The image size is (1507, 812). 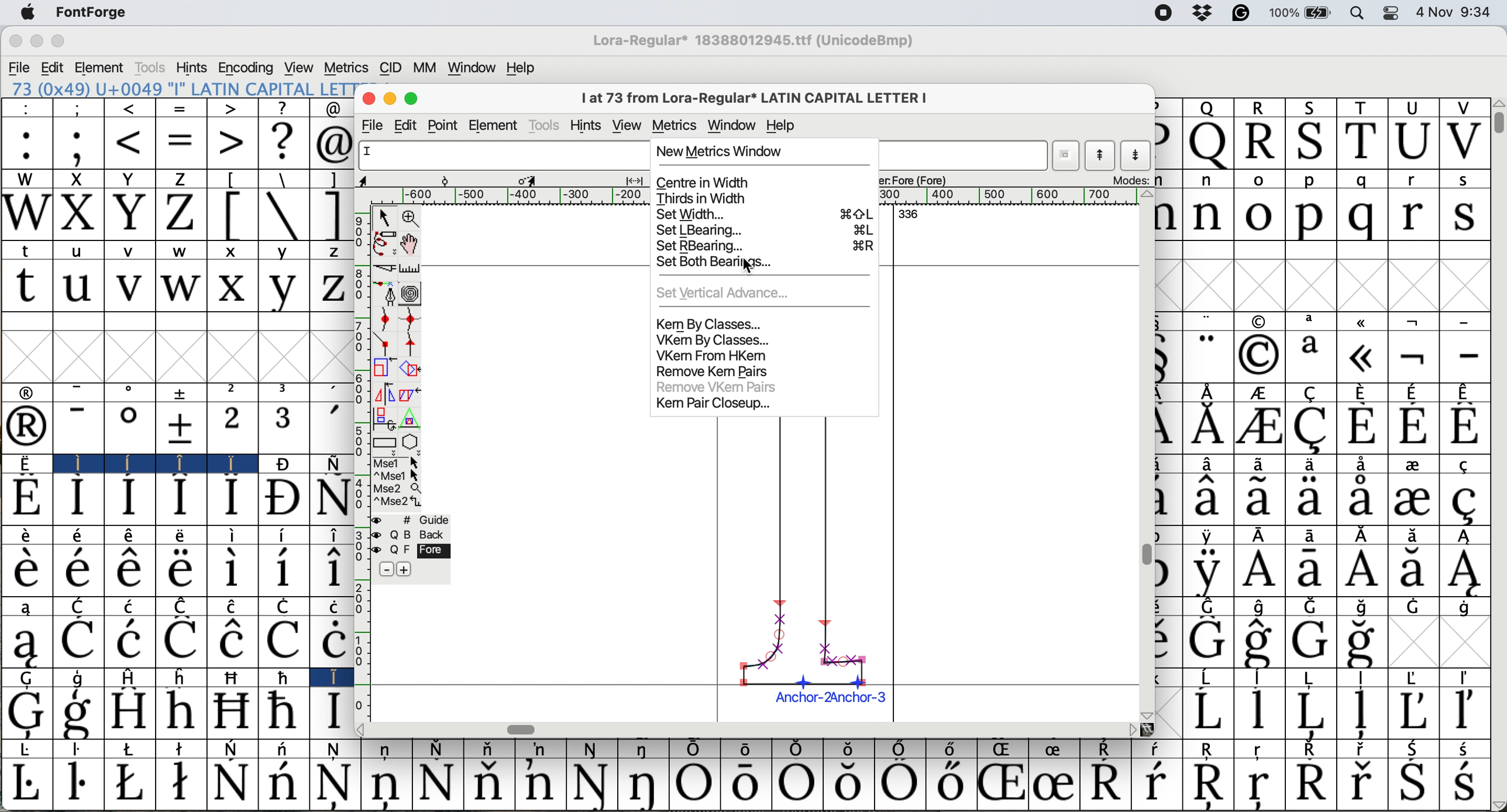 What do you see at coordinates (231, 711) in the screenshot?
I see `Symbol` at bounding box center [231, 711].